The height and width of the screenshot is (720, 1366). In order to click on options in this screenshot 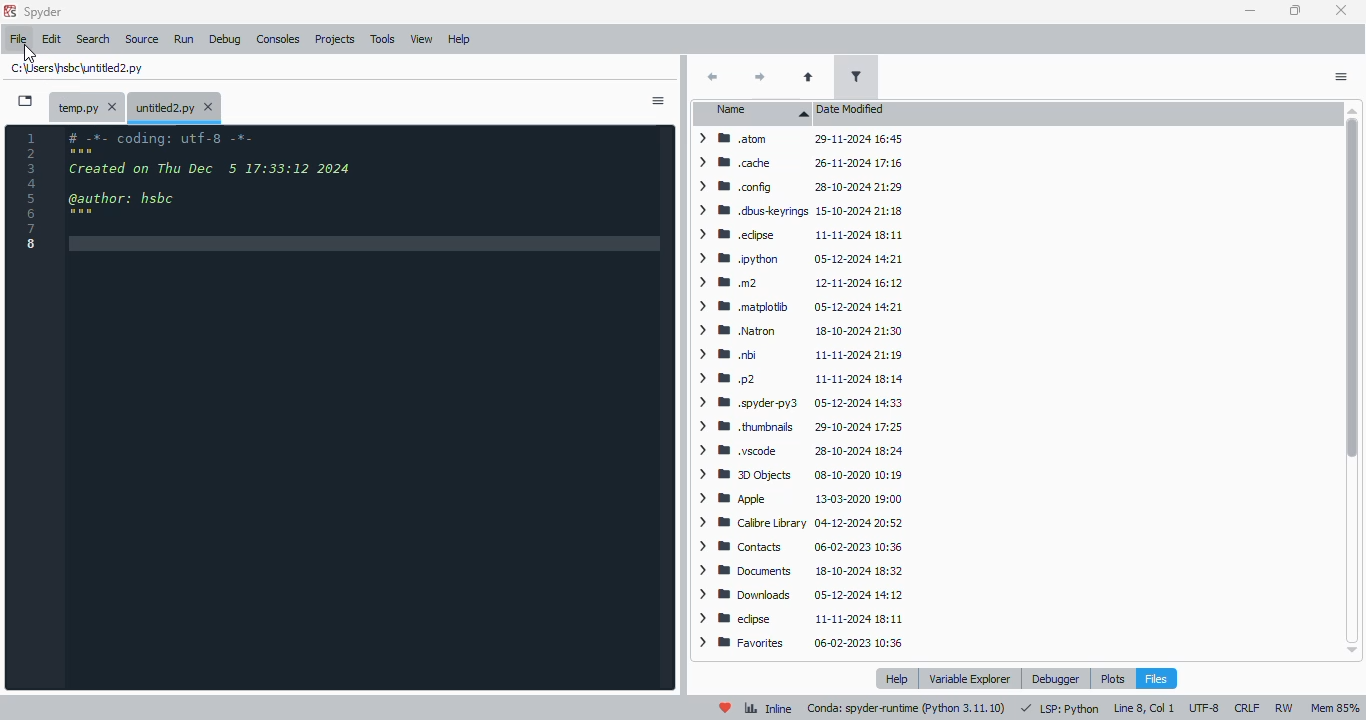, I will do `click(657, 101)`.